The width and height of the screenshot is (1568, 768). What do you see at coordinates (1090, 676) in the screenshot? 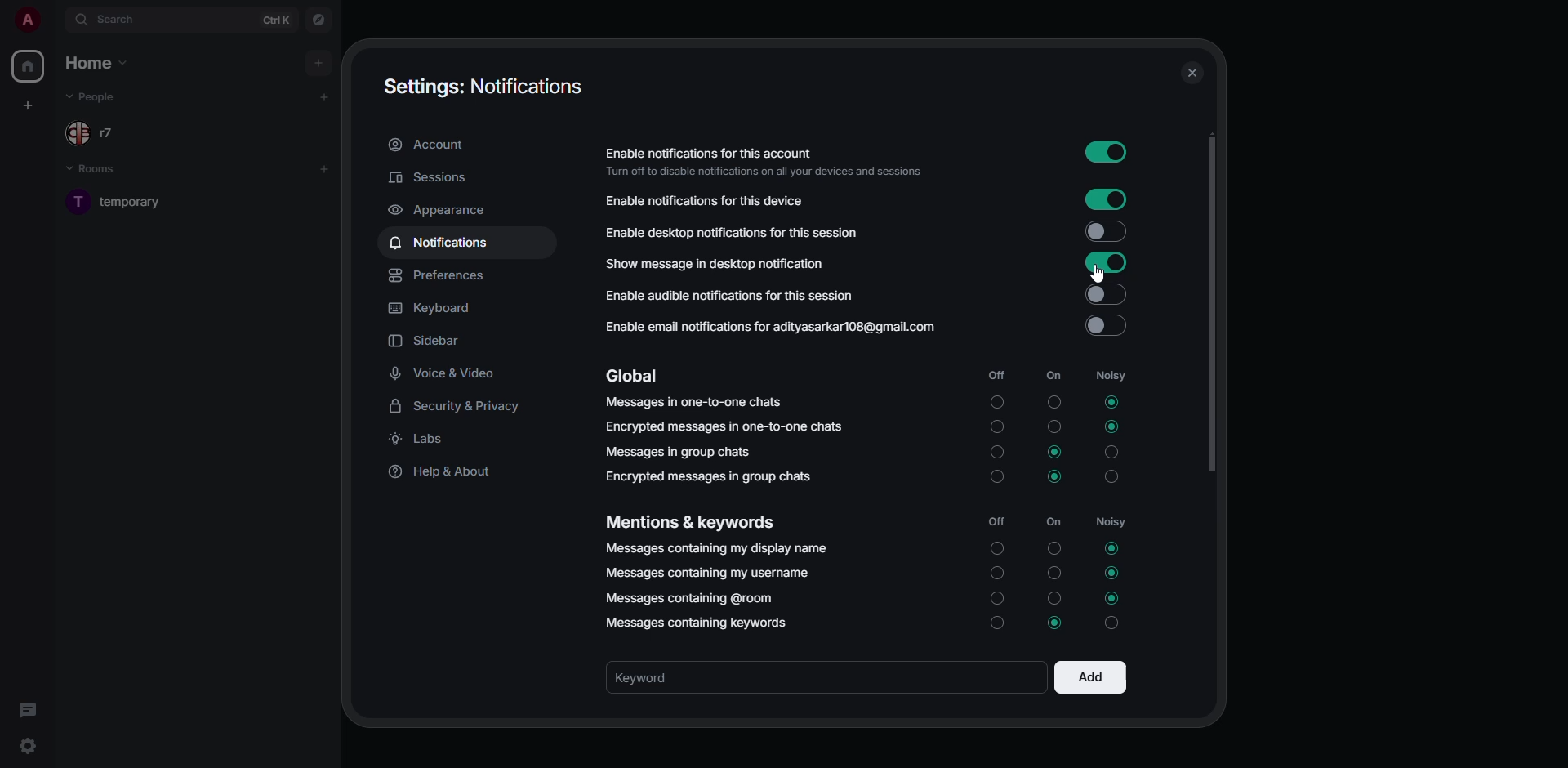
I see `add` at bounding box center [1090, 676].